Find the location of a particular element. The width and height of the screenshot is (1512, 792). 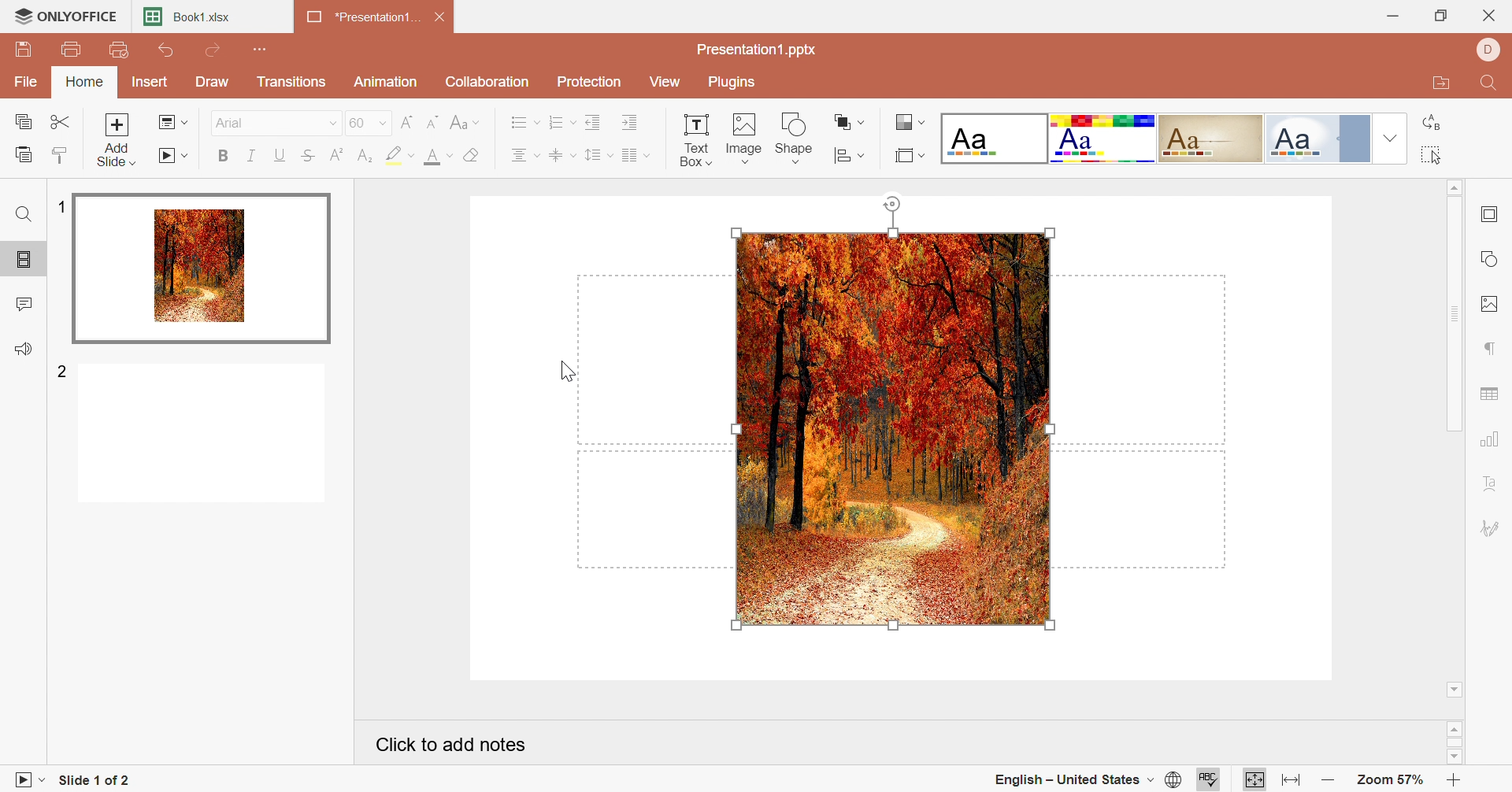

Spell checking is located at coordinates (1204, 783).